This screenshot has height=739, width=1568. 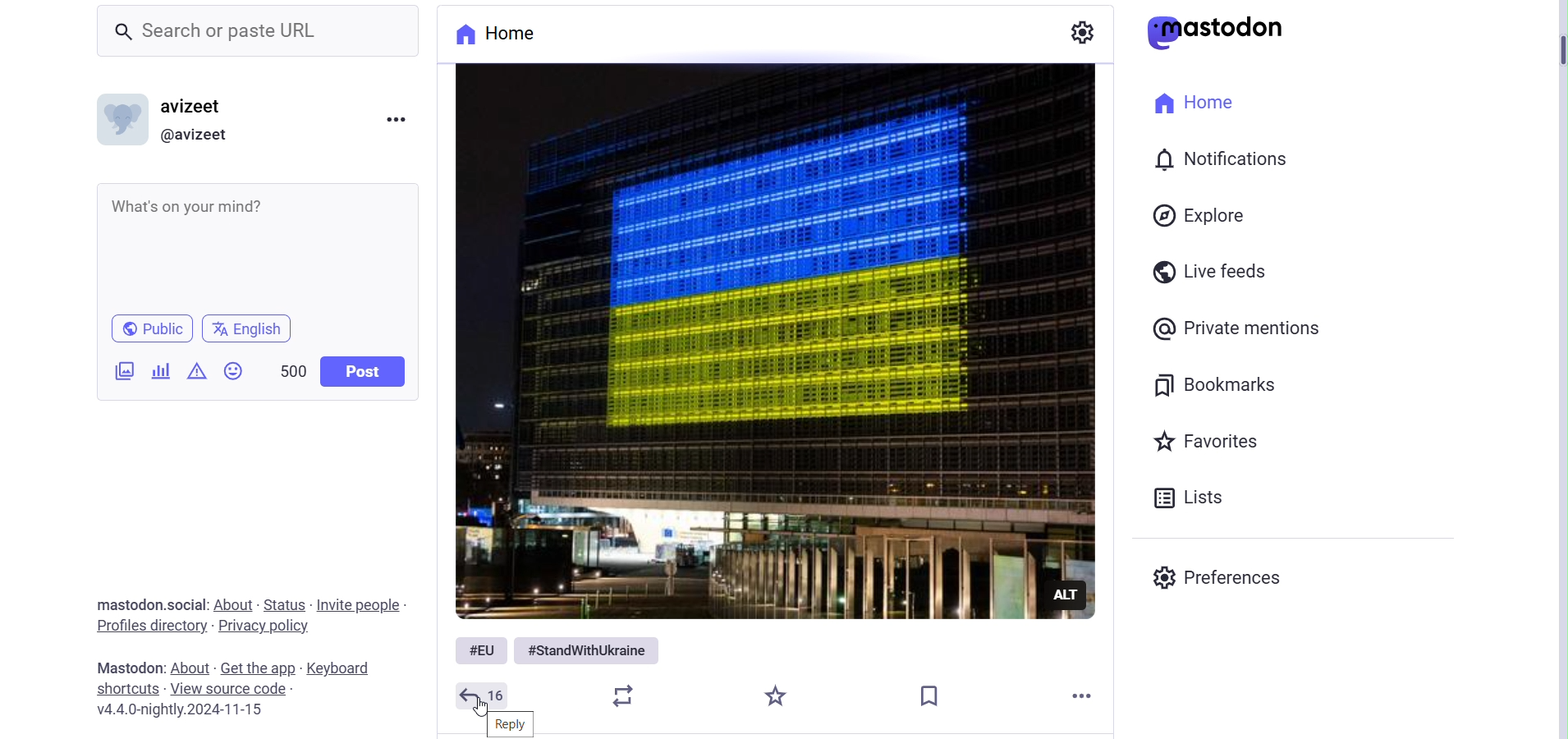 I want to click on Bookmarks, so click(x=1219, y=384).